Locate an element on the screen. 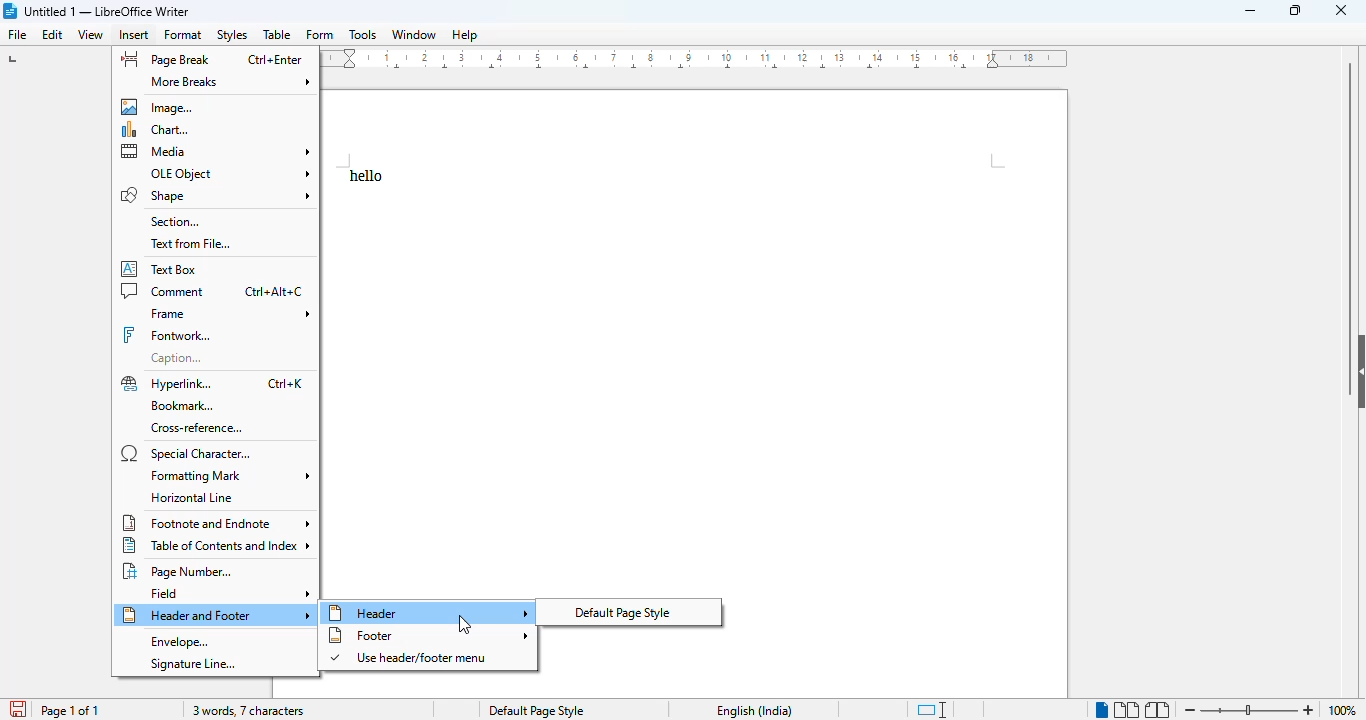 The height and width of the screenshot is (720, 1366). page style is located at coordinates (536, 710).